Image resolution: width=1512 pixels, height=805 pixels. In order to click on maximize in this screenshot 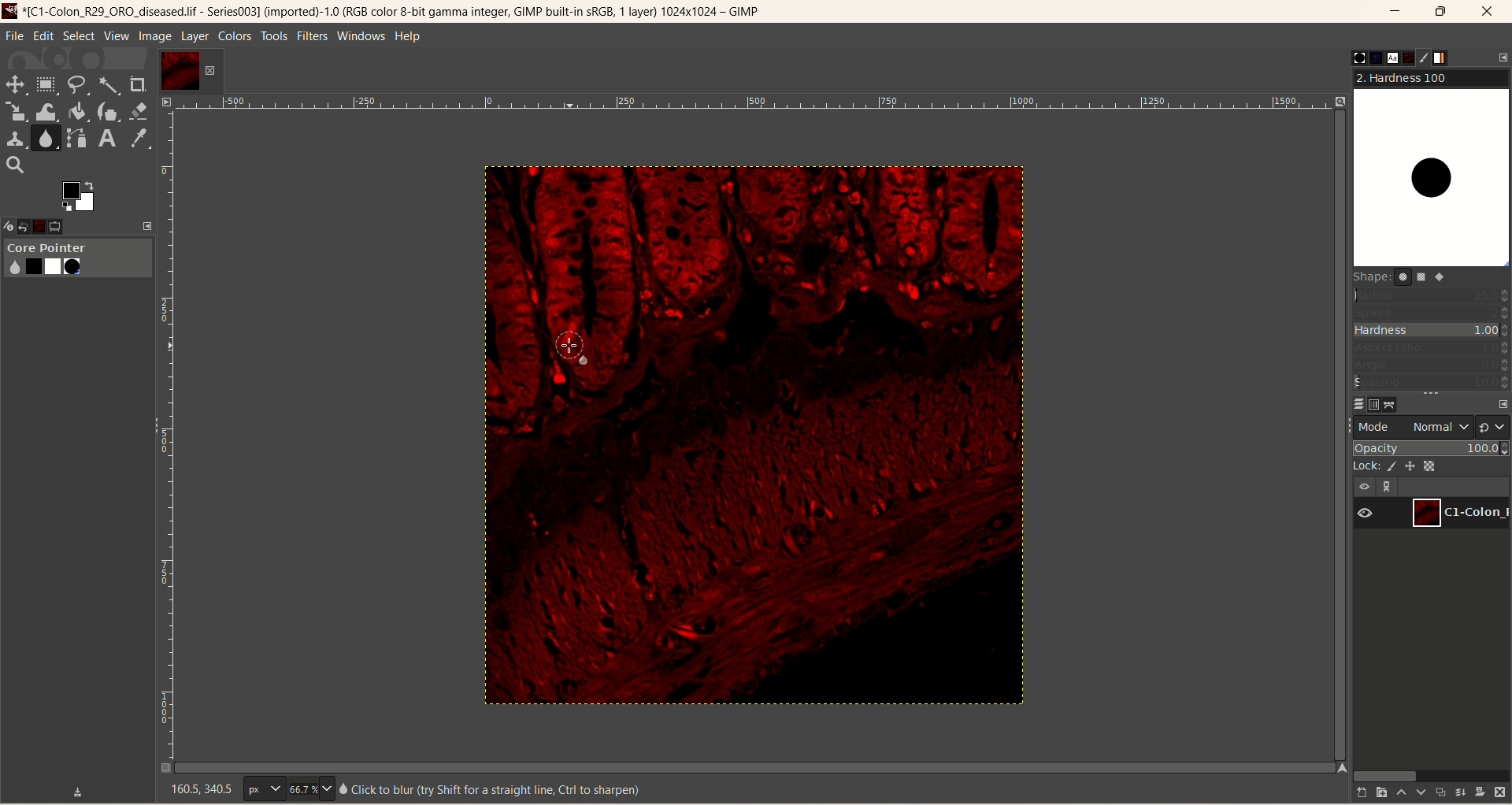, I will do `click(1442, 12)`.